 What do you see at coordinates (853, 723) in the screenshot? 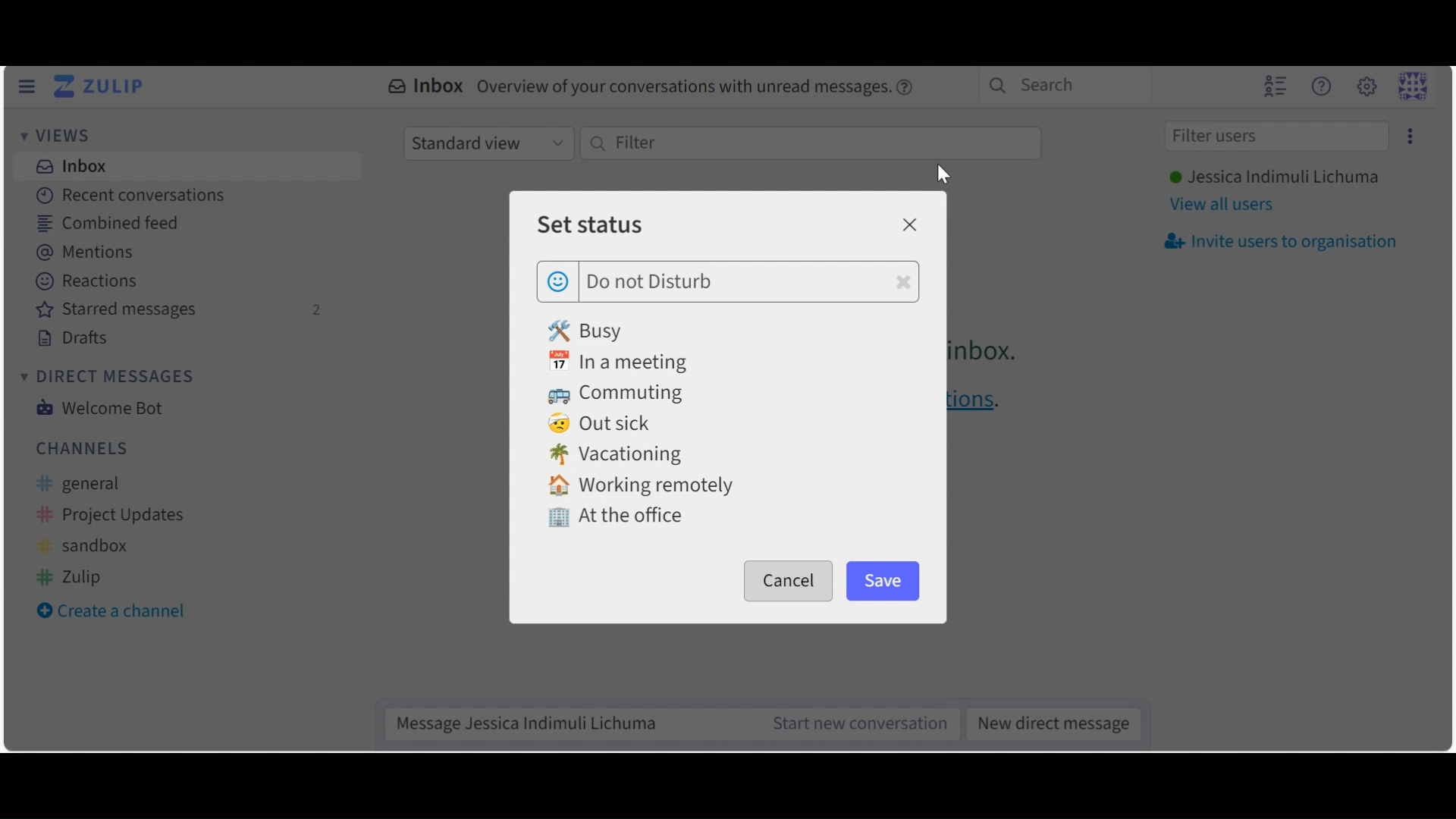
I see `Start a conversation` at bounding box center [853, 723].